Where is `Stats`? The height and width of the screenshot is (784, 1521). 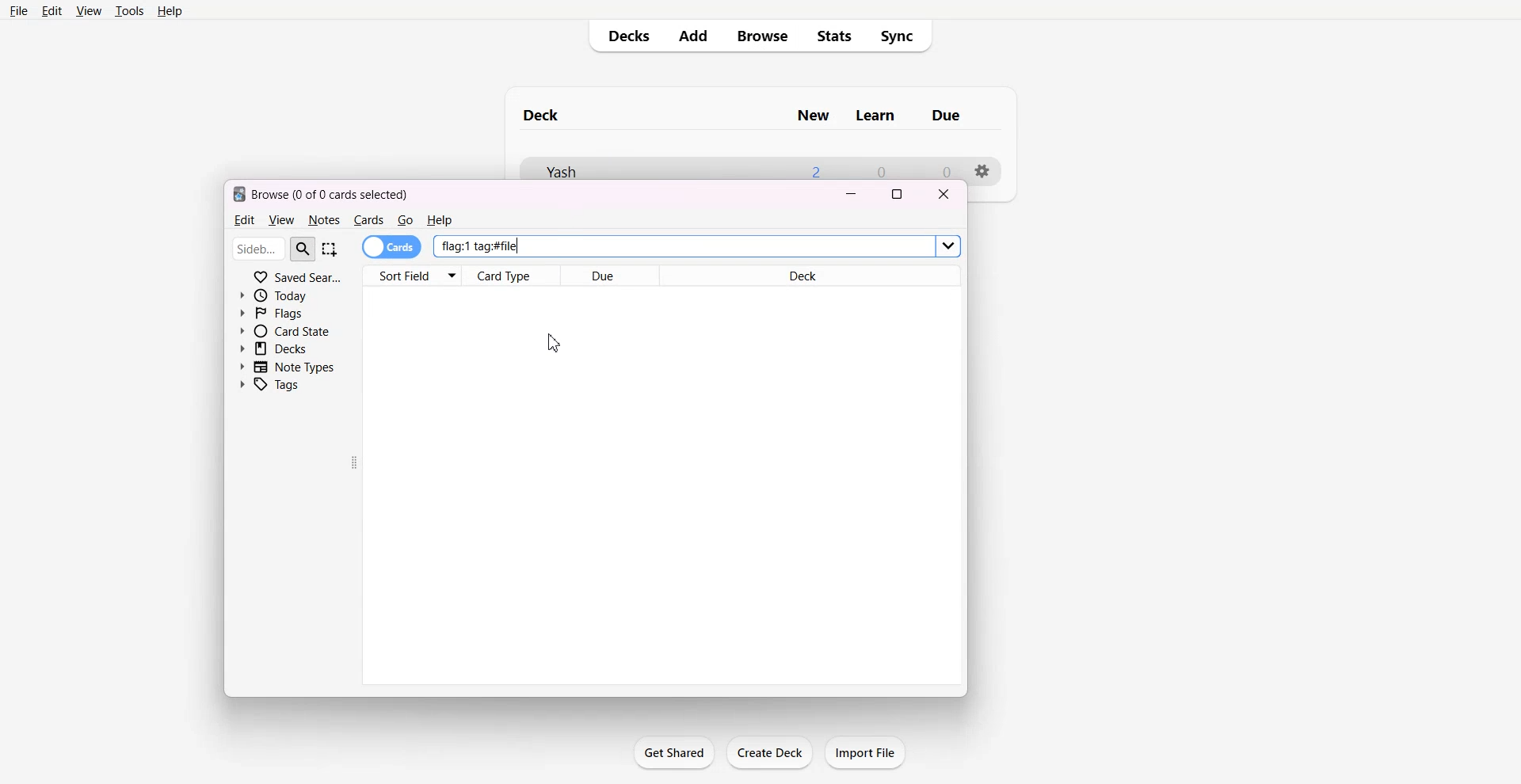
Stats is located at coordinates (833, 36).